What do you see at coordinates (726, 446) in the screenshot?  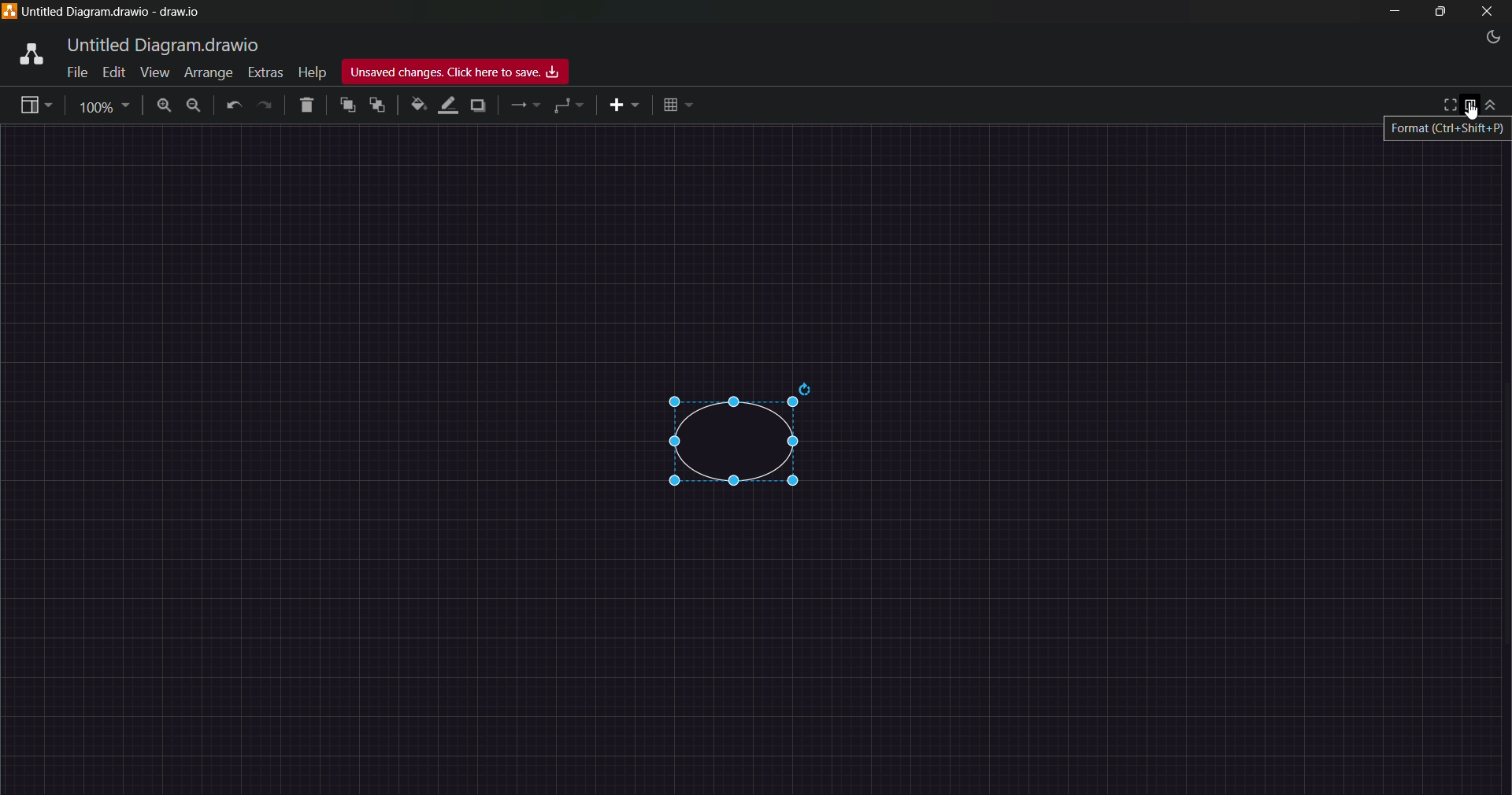 I see `circle selected` at bounding box center [726, 446].